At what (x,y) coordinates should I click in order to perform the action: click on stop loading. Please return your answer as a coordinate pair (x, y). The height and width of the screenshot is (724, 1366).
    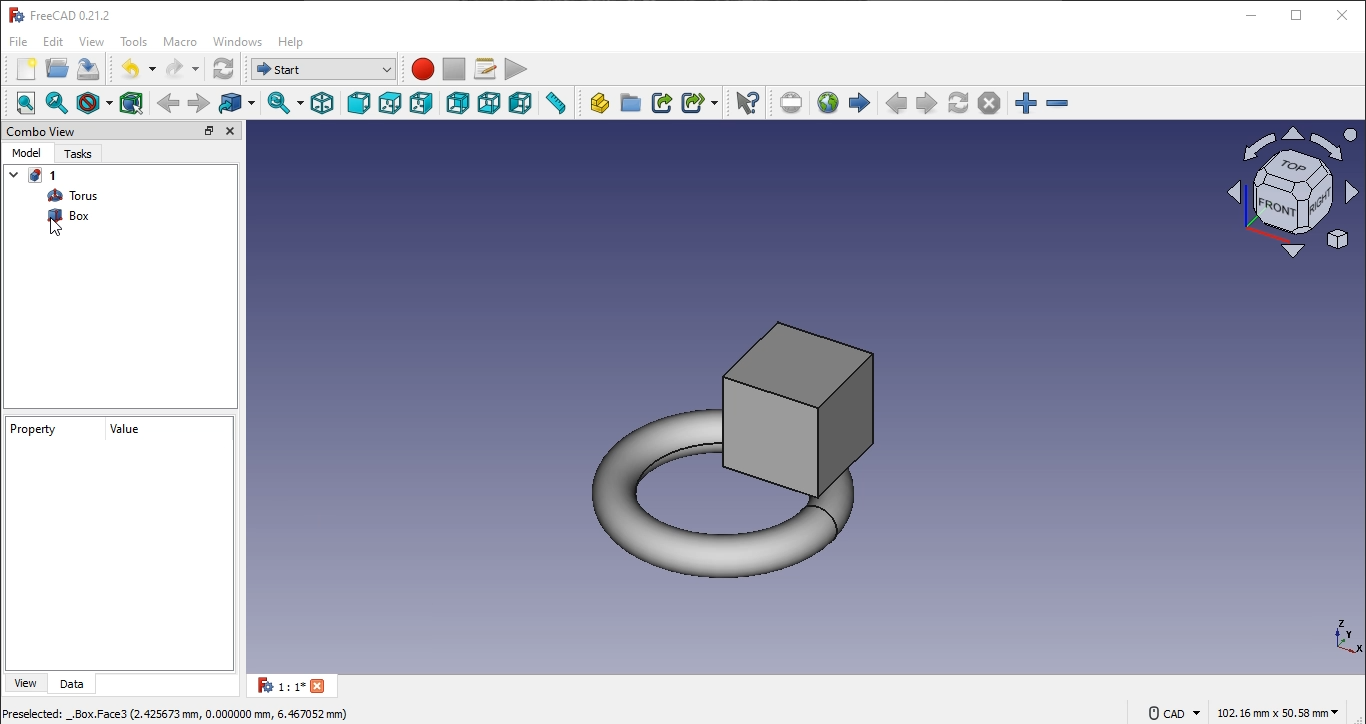
    Looking at the image, I should click on (990, 103).